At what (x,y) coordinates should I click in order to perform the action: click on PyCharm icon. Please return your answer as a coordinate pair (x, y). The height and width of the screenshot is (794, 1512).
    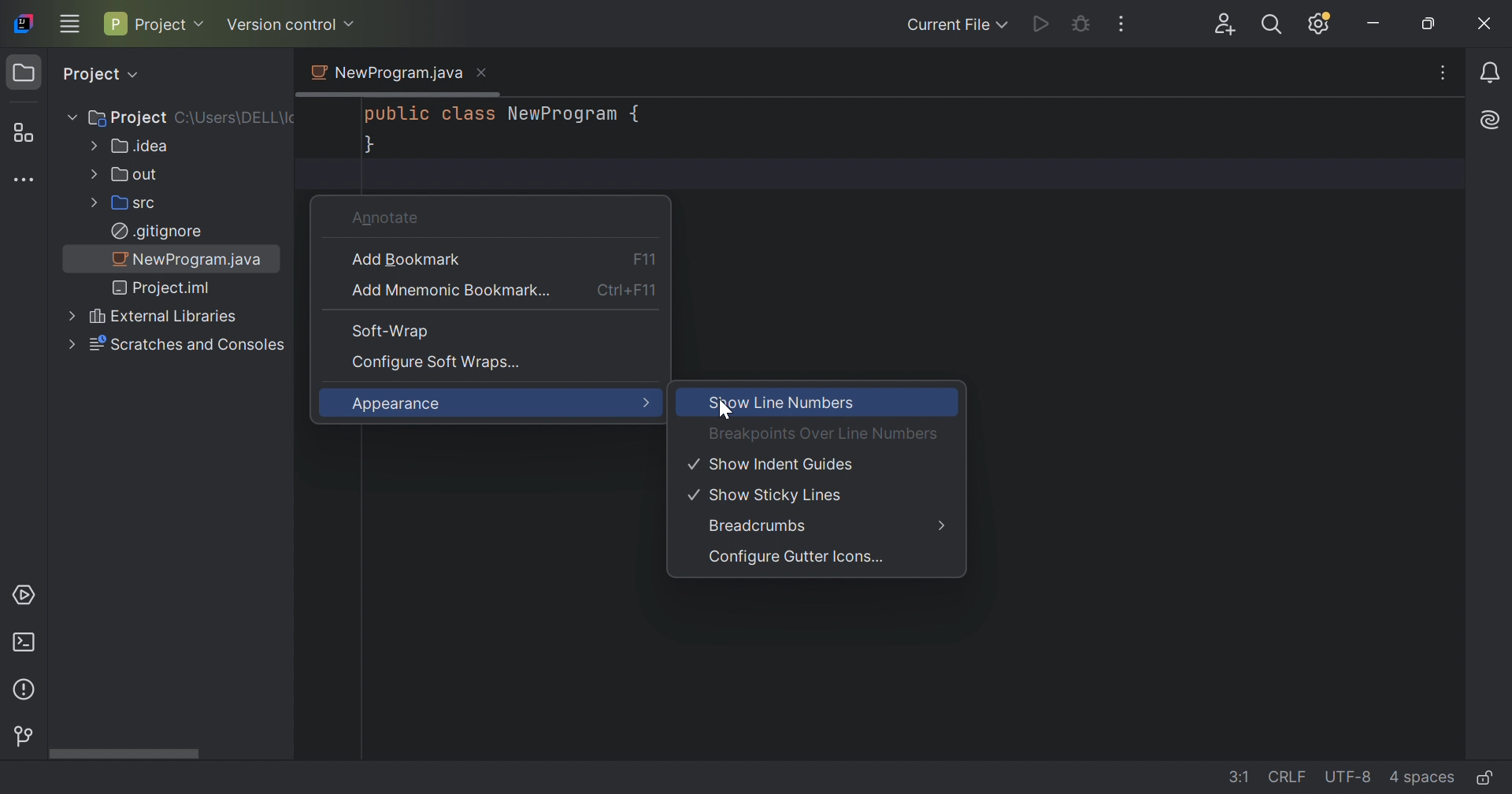
    Looking at the image, I should click on (23, 24).